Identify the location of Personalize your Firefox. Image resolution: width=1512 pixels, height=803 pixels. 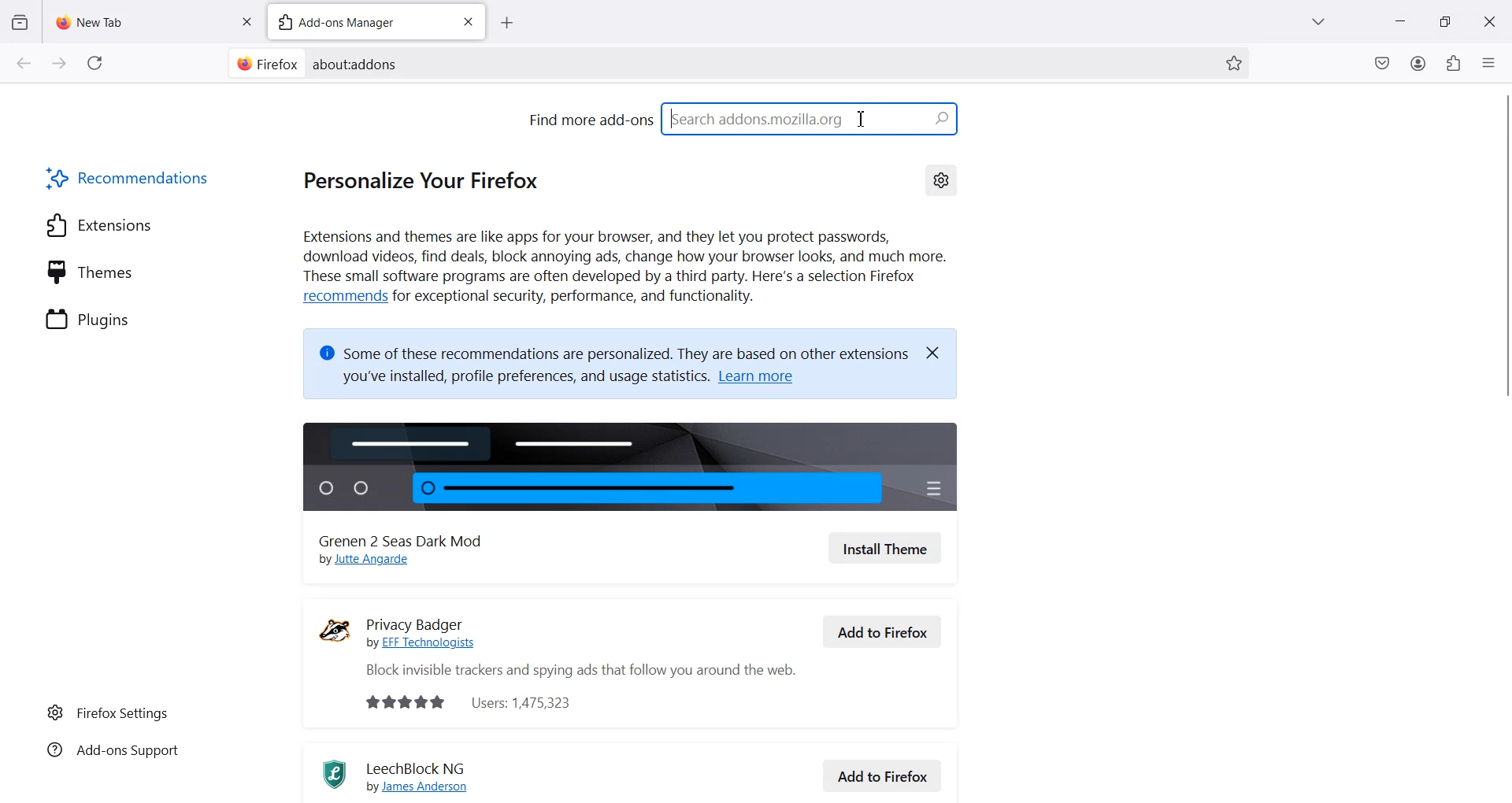
(430, 179).